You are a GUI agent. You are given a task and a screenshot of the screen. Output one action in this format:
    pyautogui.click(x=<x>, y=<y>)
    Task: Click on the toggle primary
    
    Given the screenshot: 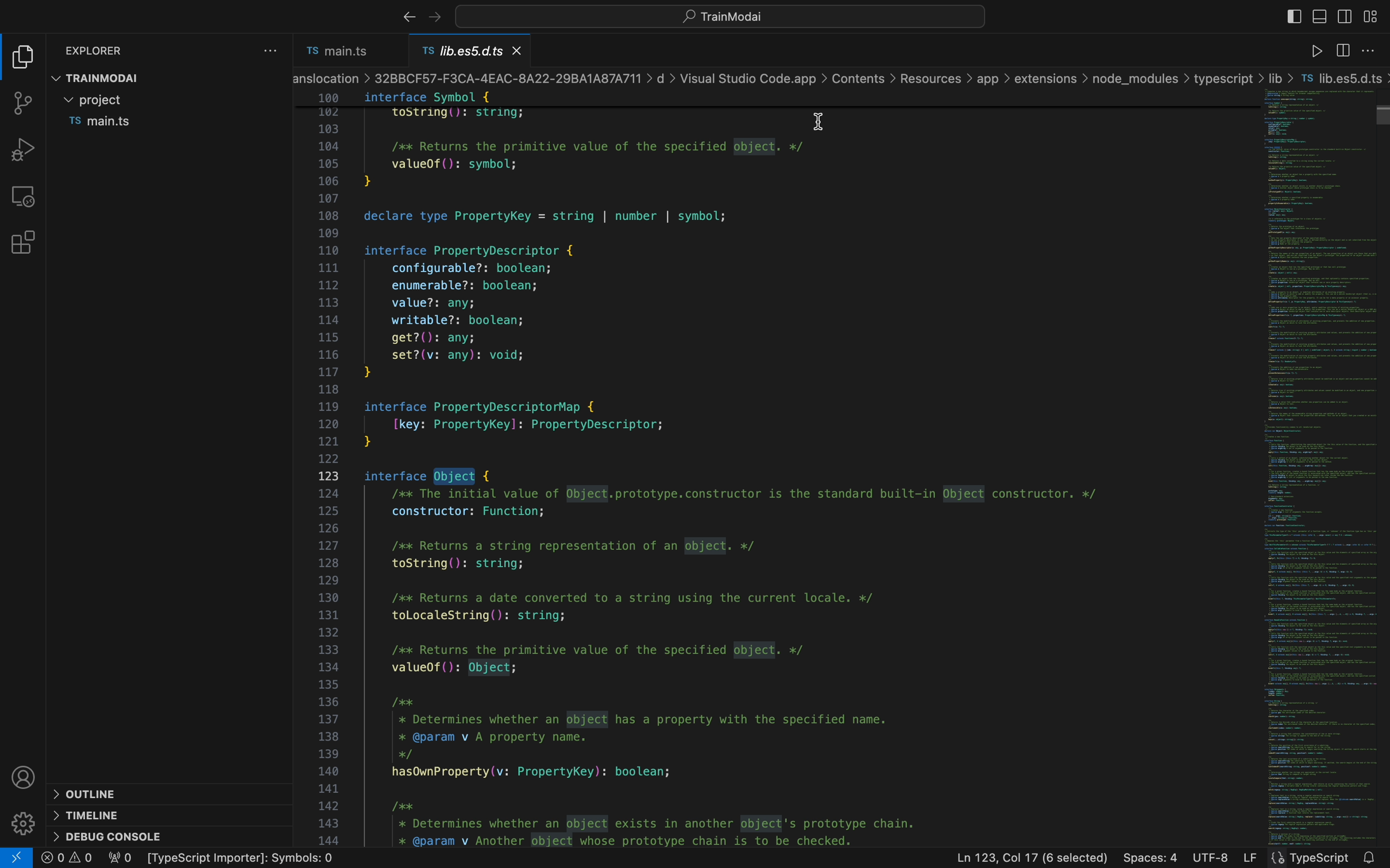 What is the action you would take?
    pyautogui.click(x=1318, y=15)
    